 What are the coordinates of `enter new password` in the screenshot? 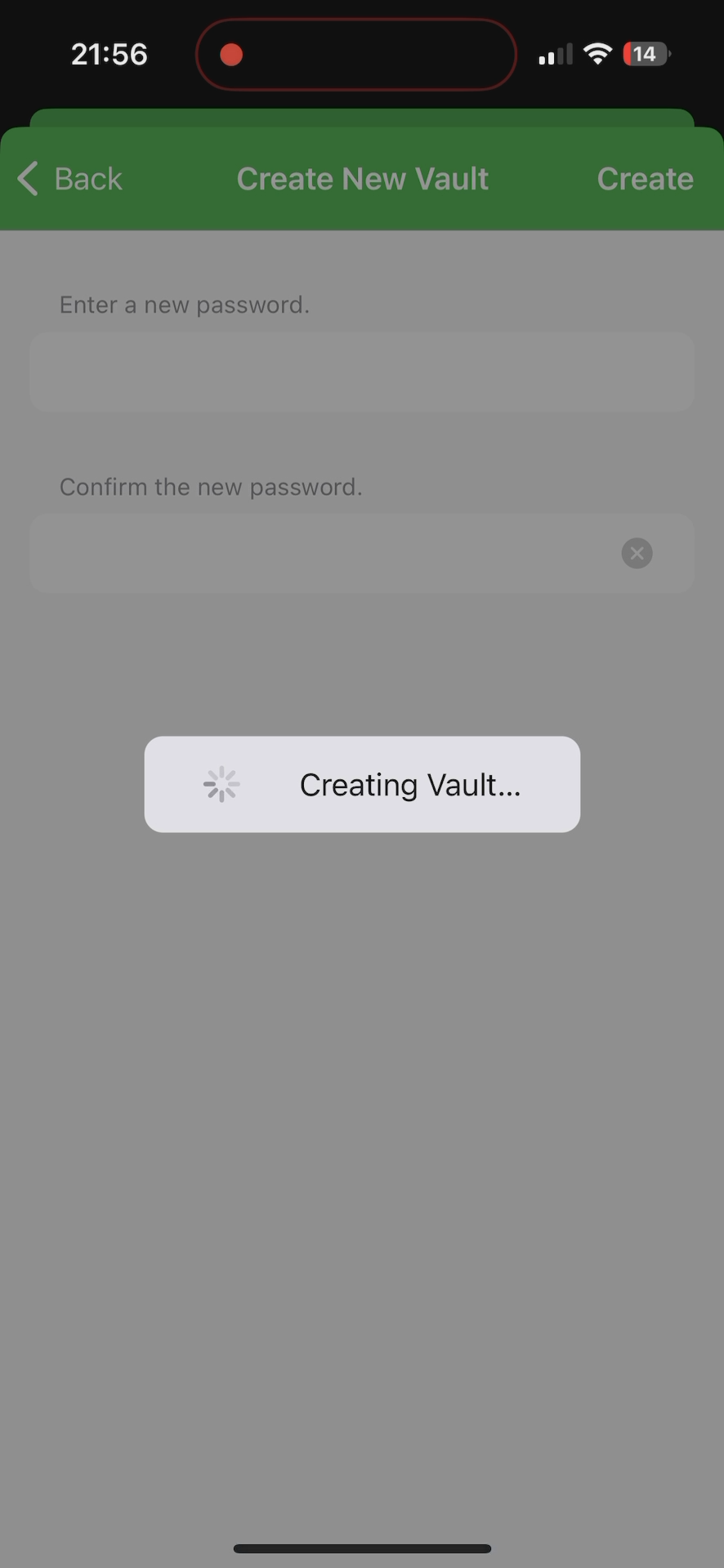 It's located at (360, 350).